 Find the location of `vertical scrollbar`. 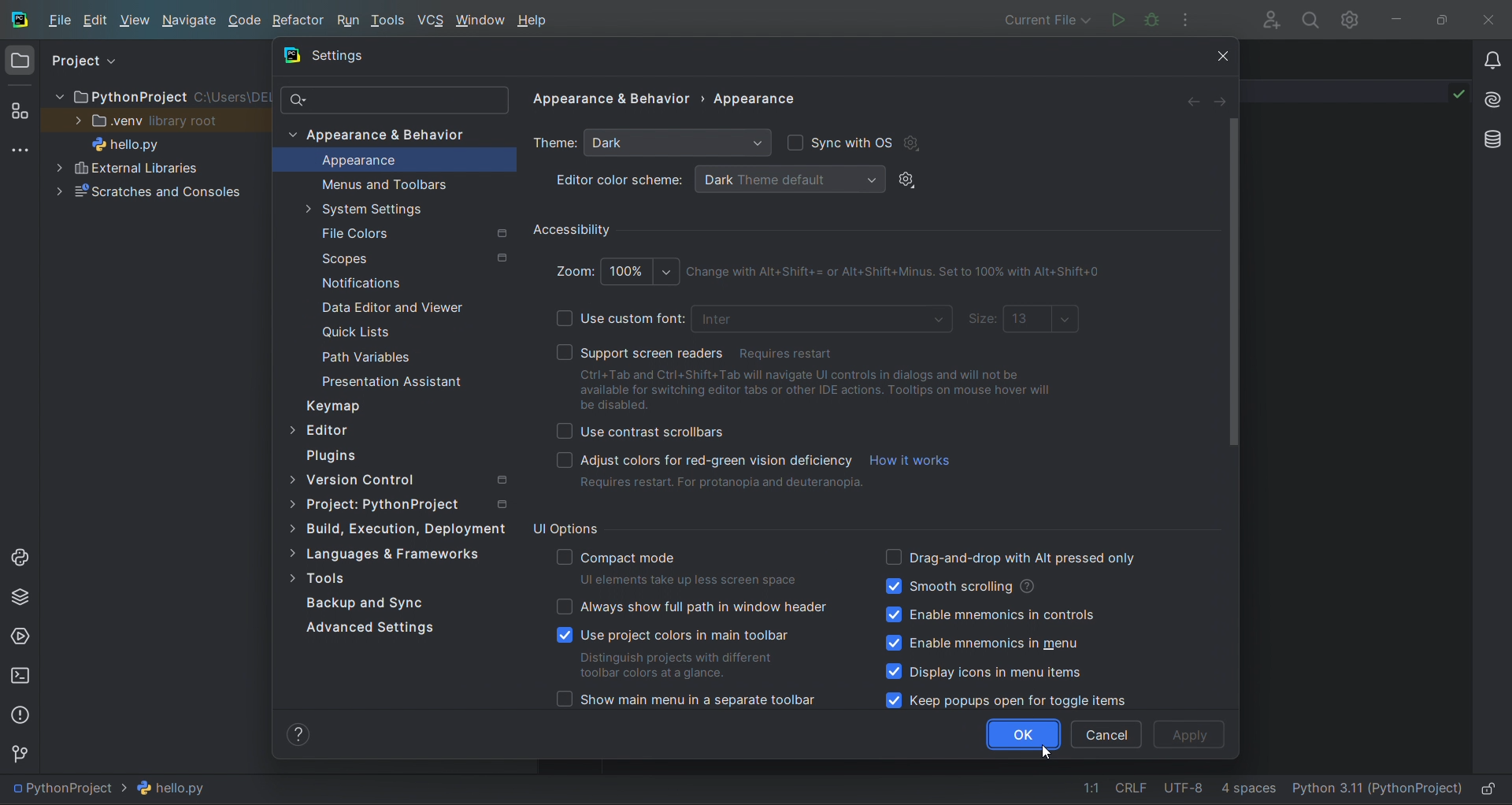

vertical scrollbar is located at coordinates (1235, 282).